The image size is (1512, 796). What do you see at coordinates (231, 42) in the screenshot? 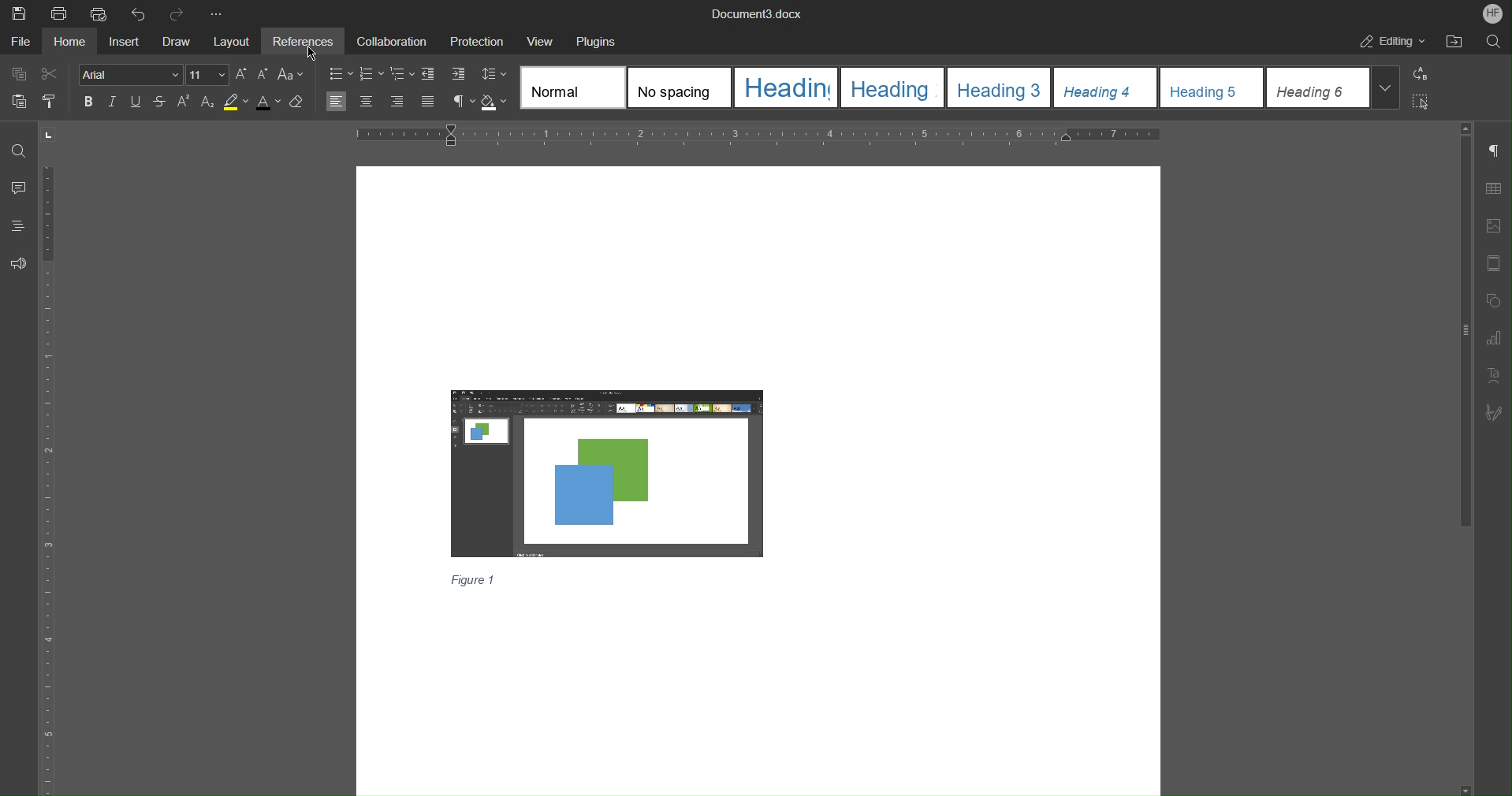
I see `Layout` at bounding box center [231, 42].